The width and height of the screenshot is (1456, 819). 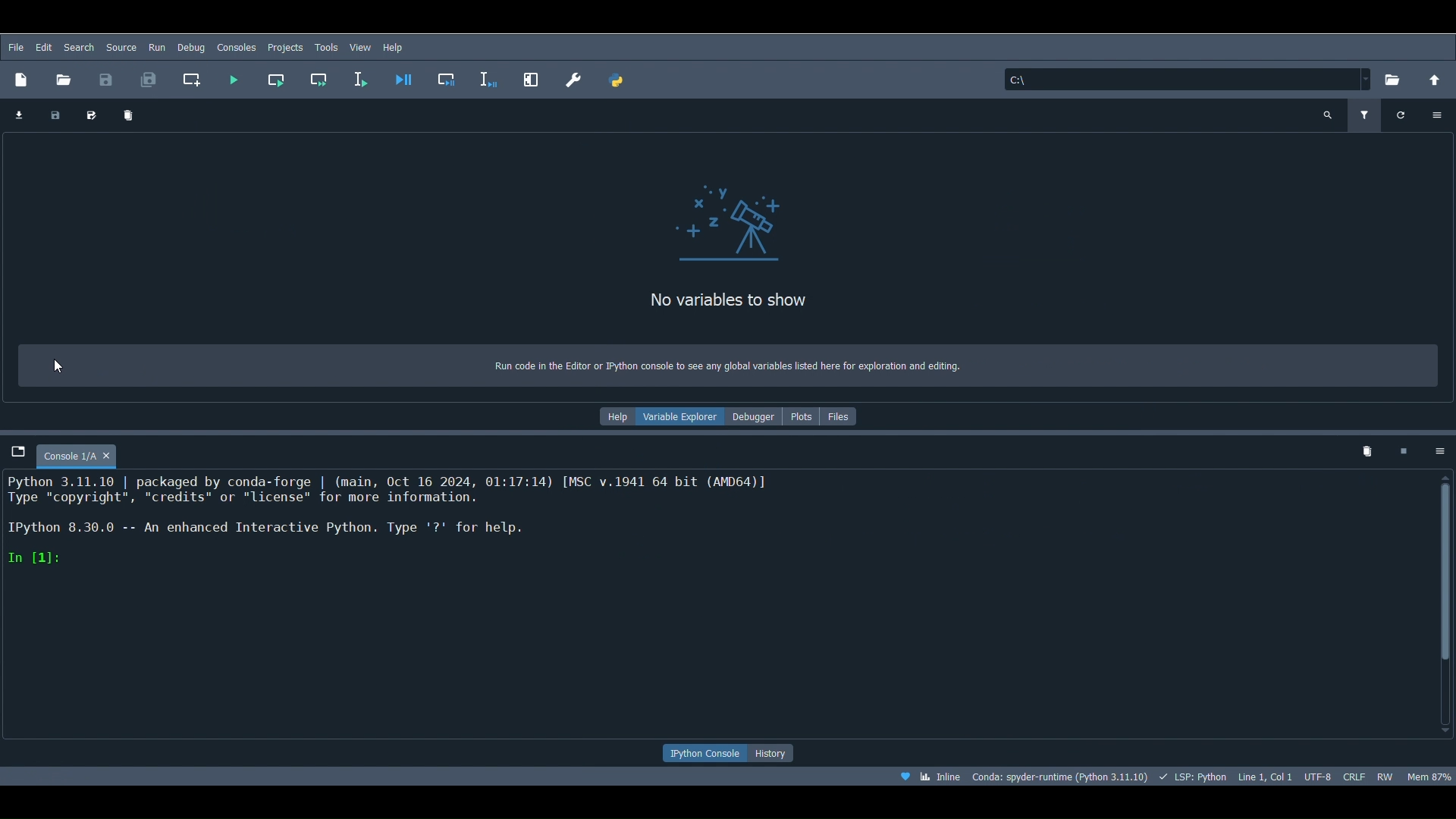 I want to click on Help, so click(x=396, y=47).